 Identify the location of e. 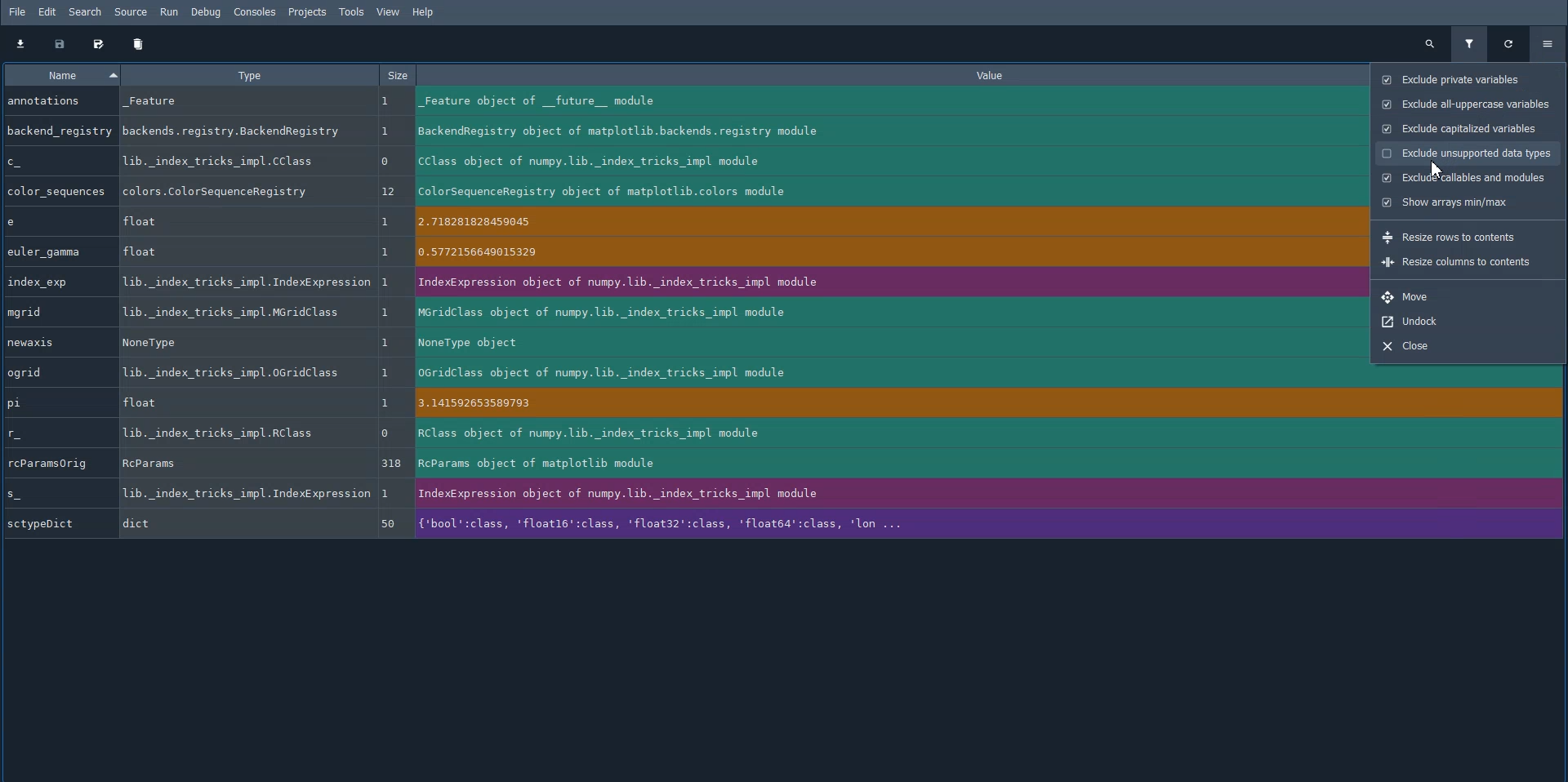
(52, 222).